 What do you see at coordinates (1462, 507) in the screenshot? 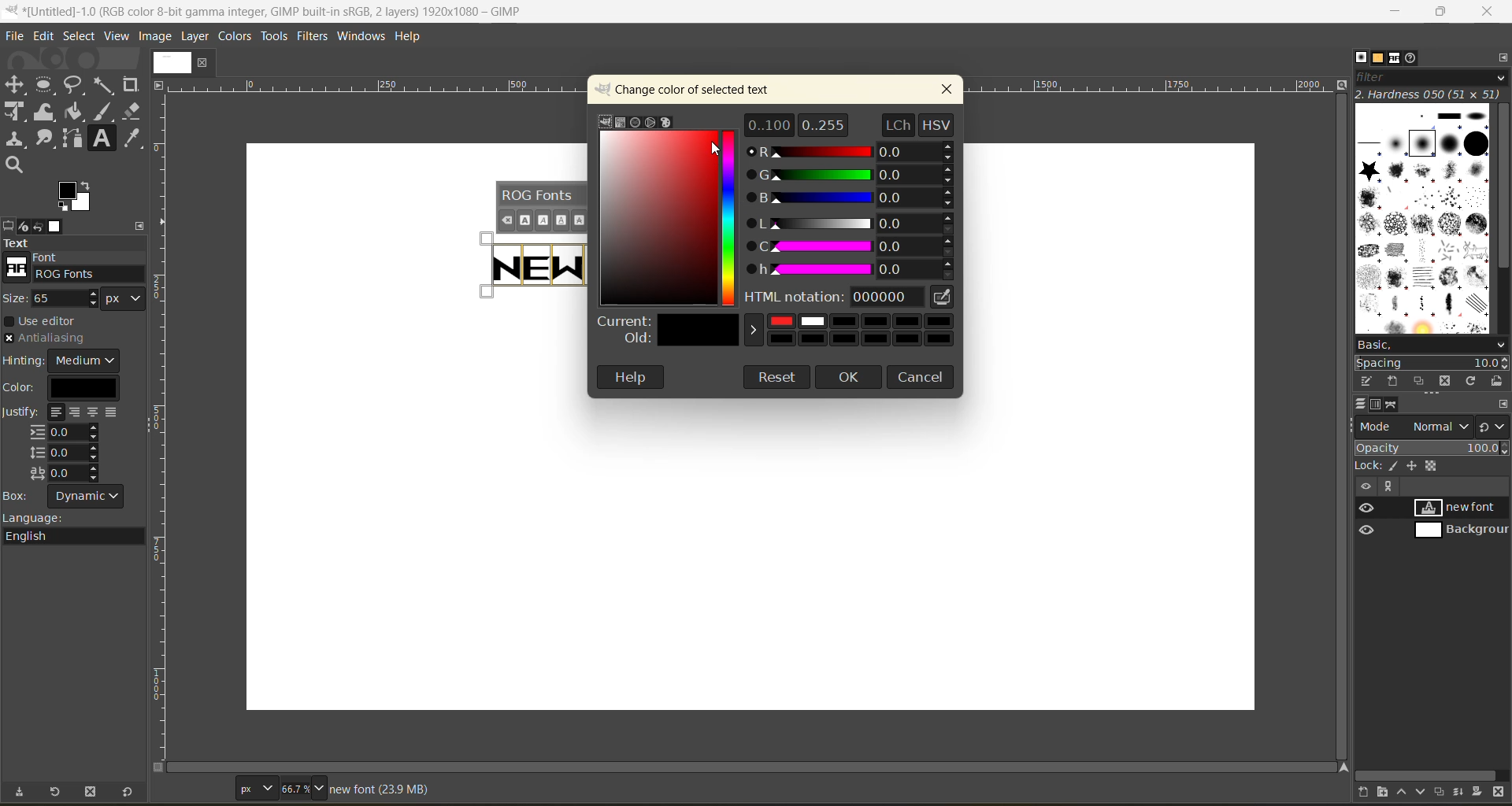
I see `new font` at bounding box center [1462, 507].